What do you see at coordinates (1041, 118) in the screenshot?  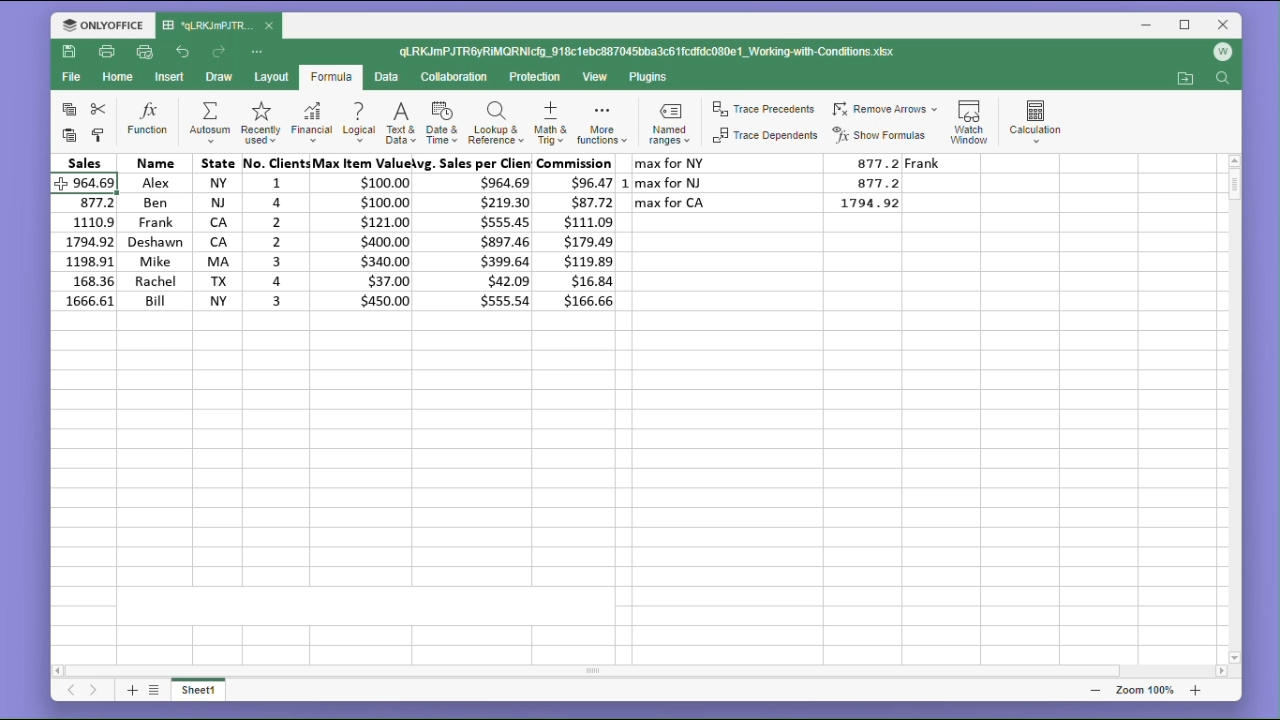 I see `calculation` at bounding box center [1041, 118].